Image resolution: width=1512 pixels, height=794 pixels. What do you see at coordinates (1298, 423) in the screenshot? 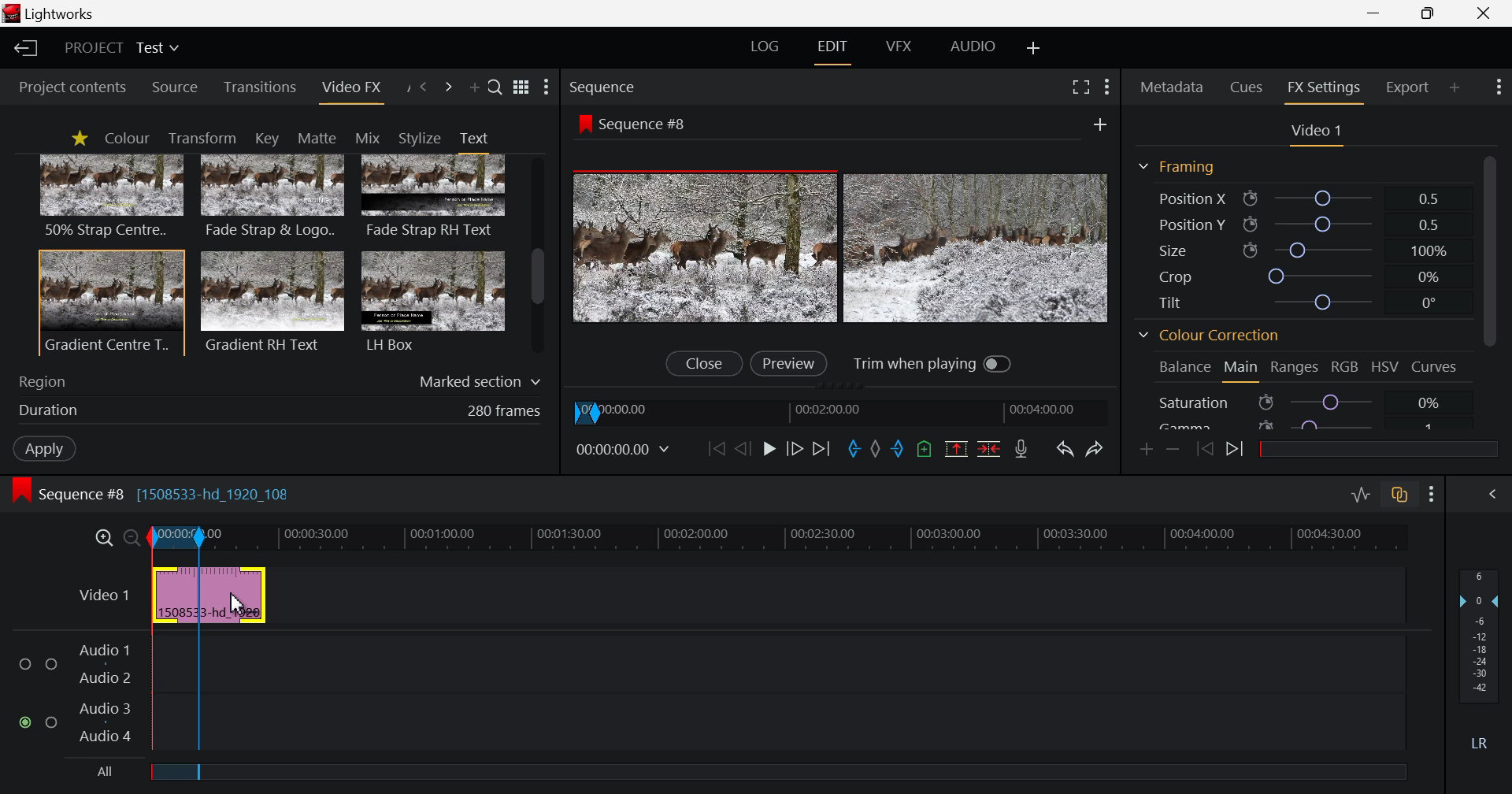
I see `Gamma` at bounding box center [1298, 423].